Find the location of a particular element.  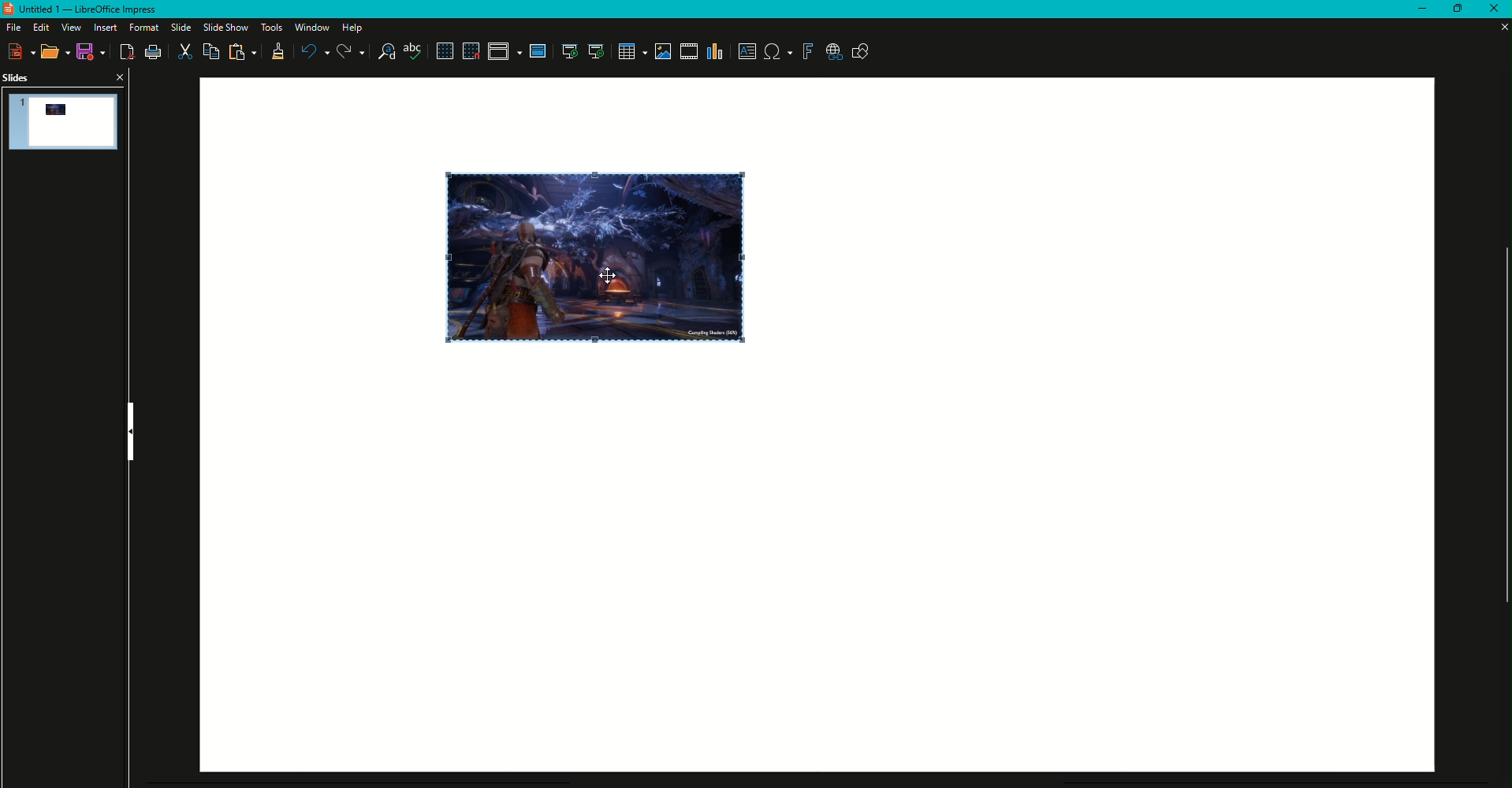

Slide is located at coordinates (177, 28).